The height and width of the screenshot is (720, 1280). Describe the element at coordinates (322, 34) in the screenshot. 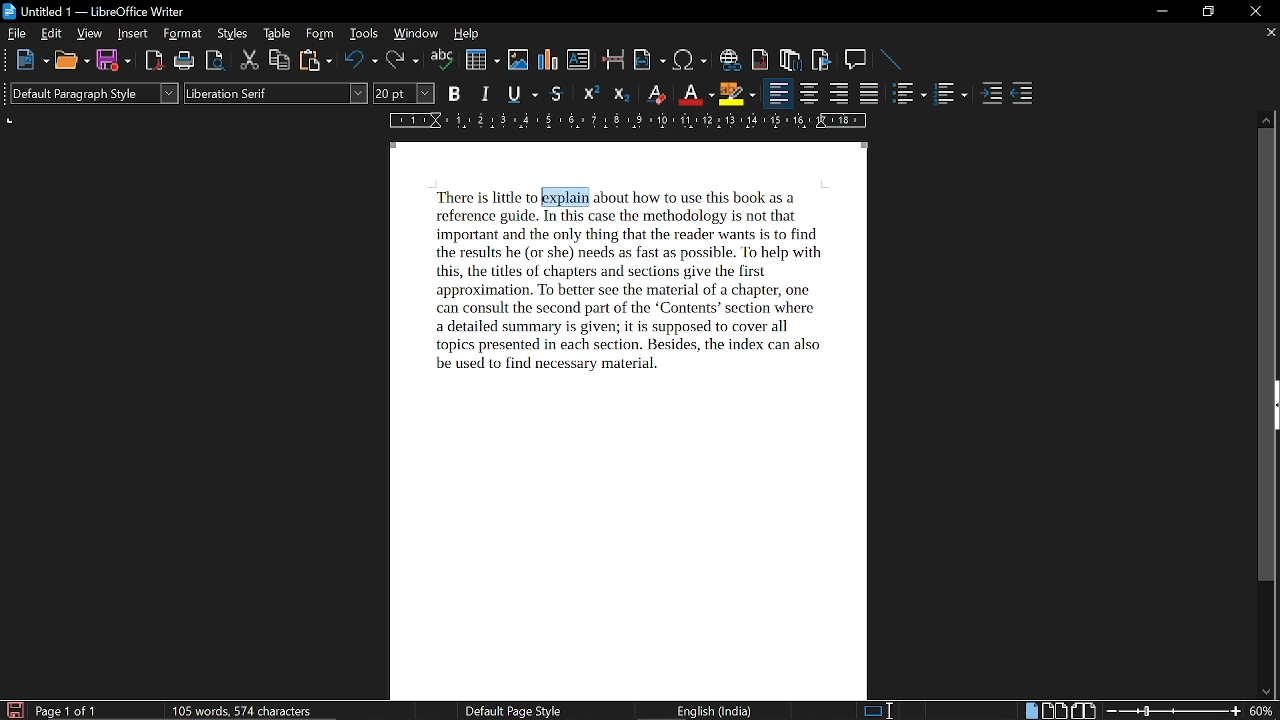

I see `form` at that location.